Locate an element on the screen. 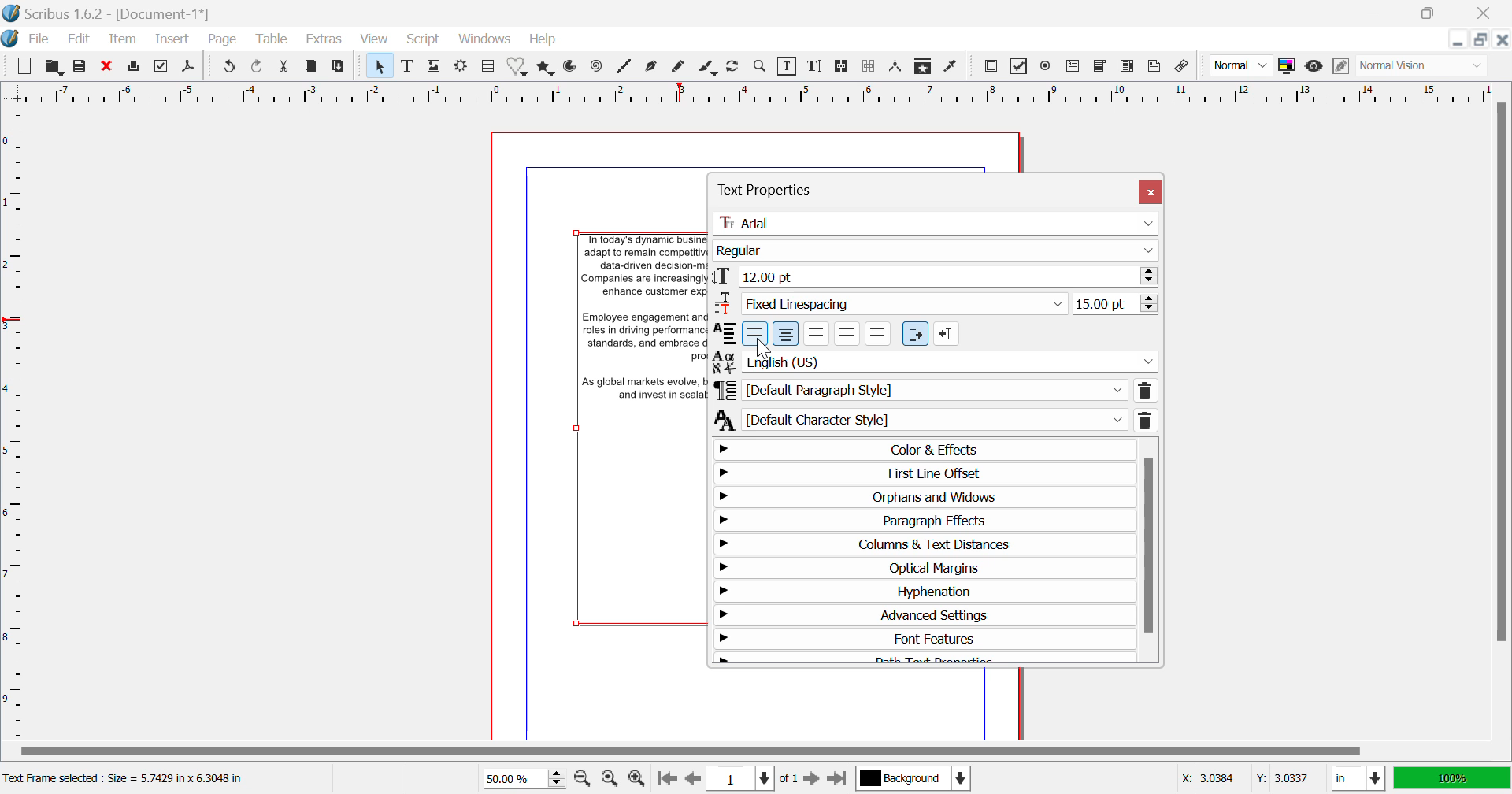 This screenshot has width=1512, height=794. Edit Text with Story Editor is located at coordinates (817, 66).